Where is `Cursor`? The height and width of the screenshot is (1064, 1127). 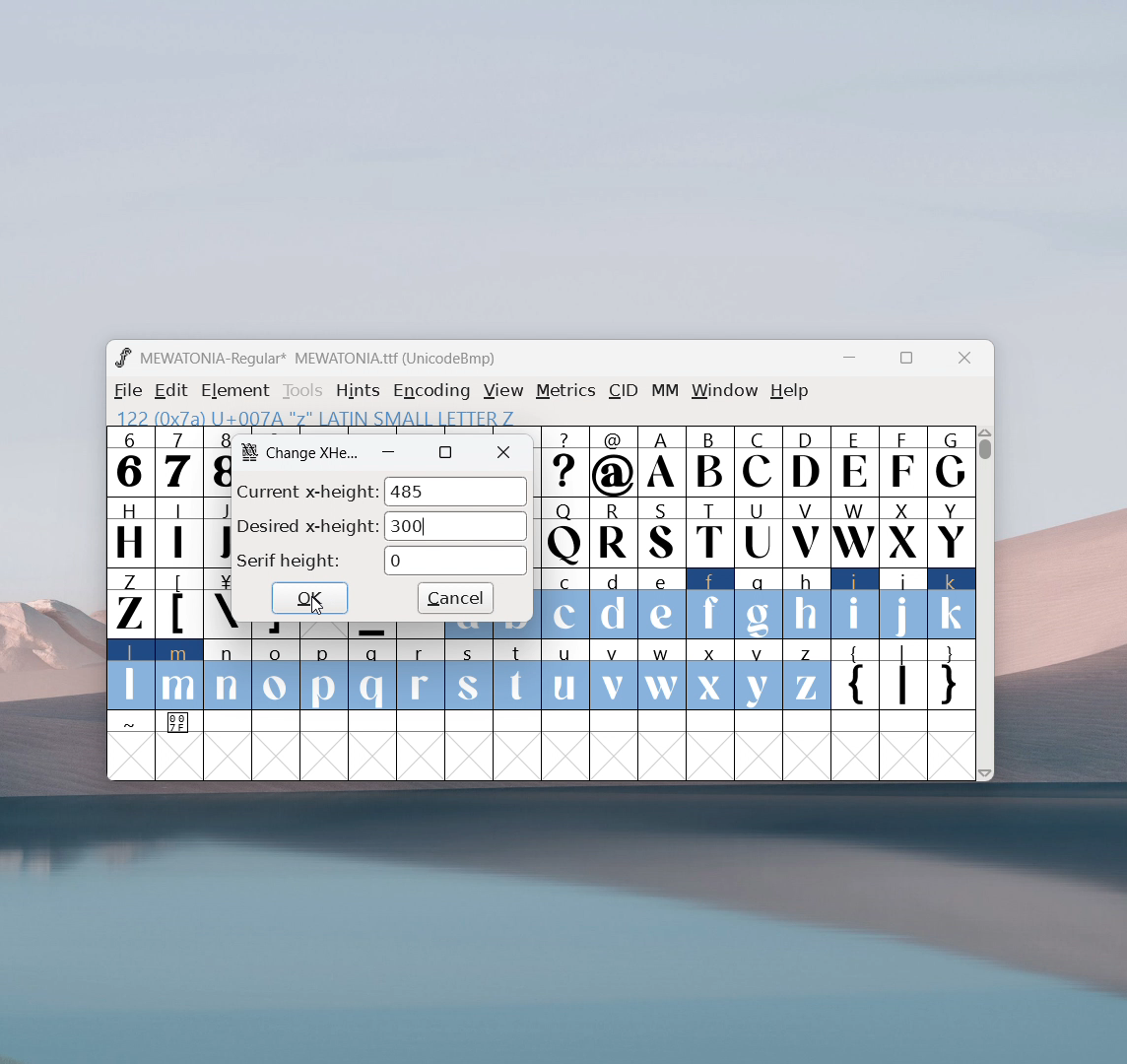
Cursor is located at coordinates (318, 606).